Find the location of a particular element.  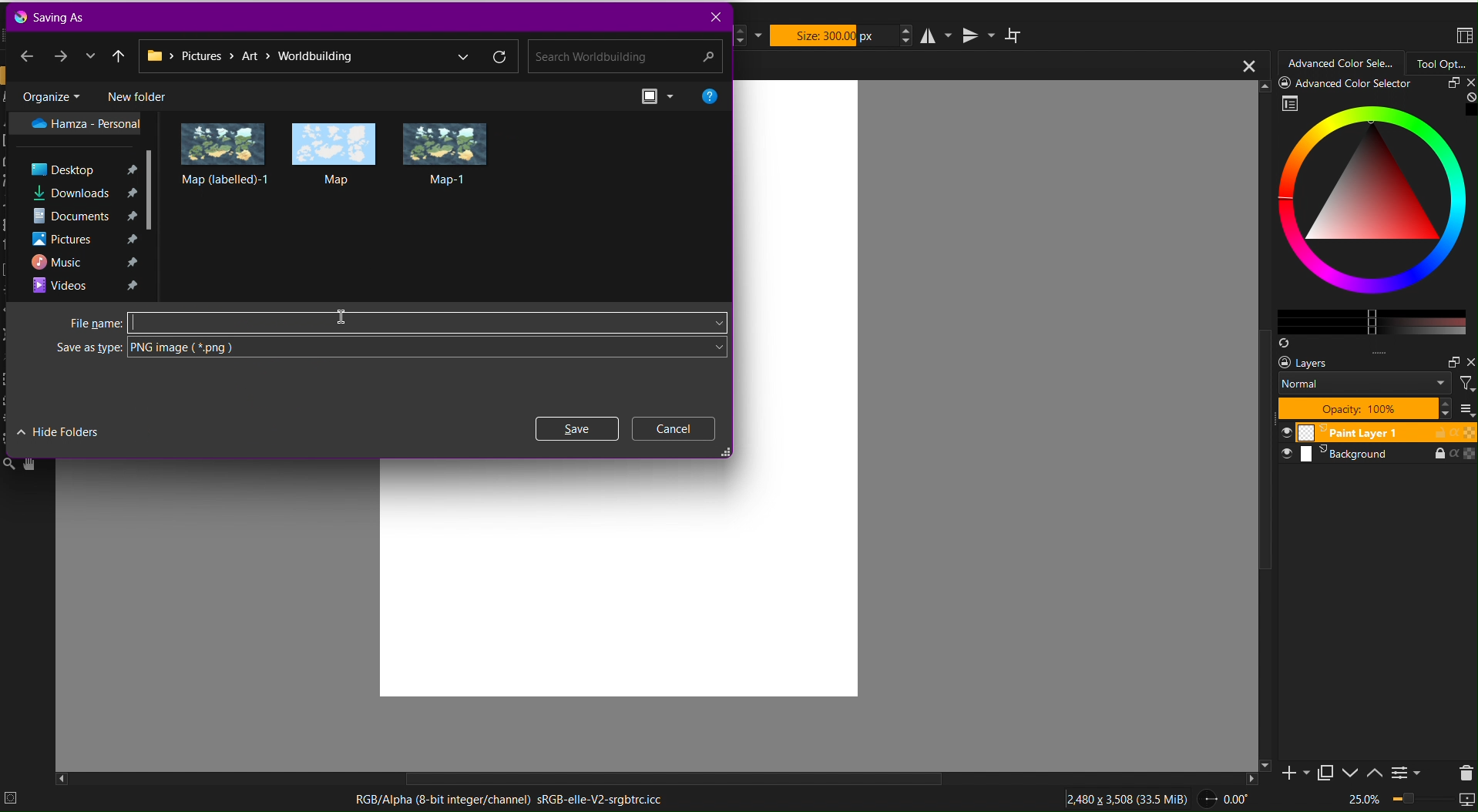

cursor is located at coordinates (350, 318).